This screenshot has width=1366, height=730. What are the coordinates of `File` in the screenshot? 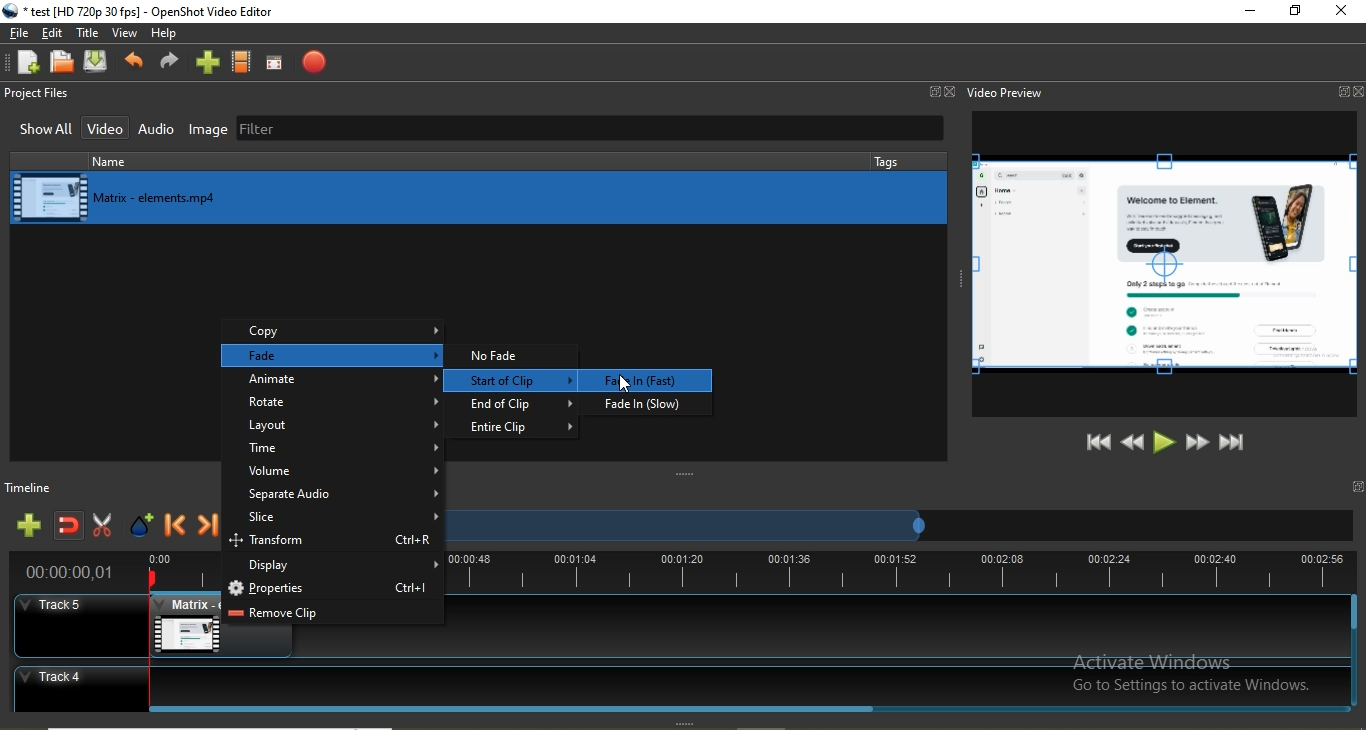 It's located at (17, 34).